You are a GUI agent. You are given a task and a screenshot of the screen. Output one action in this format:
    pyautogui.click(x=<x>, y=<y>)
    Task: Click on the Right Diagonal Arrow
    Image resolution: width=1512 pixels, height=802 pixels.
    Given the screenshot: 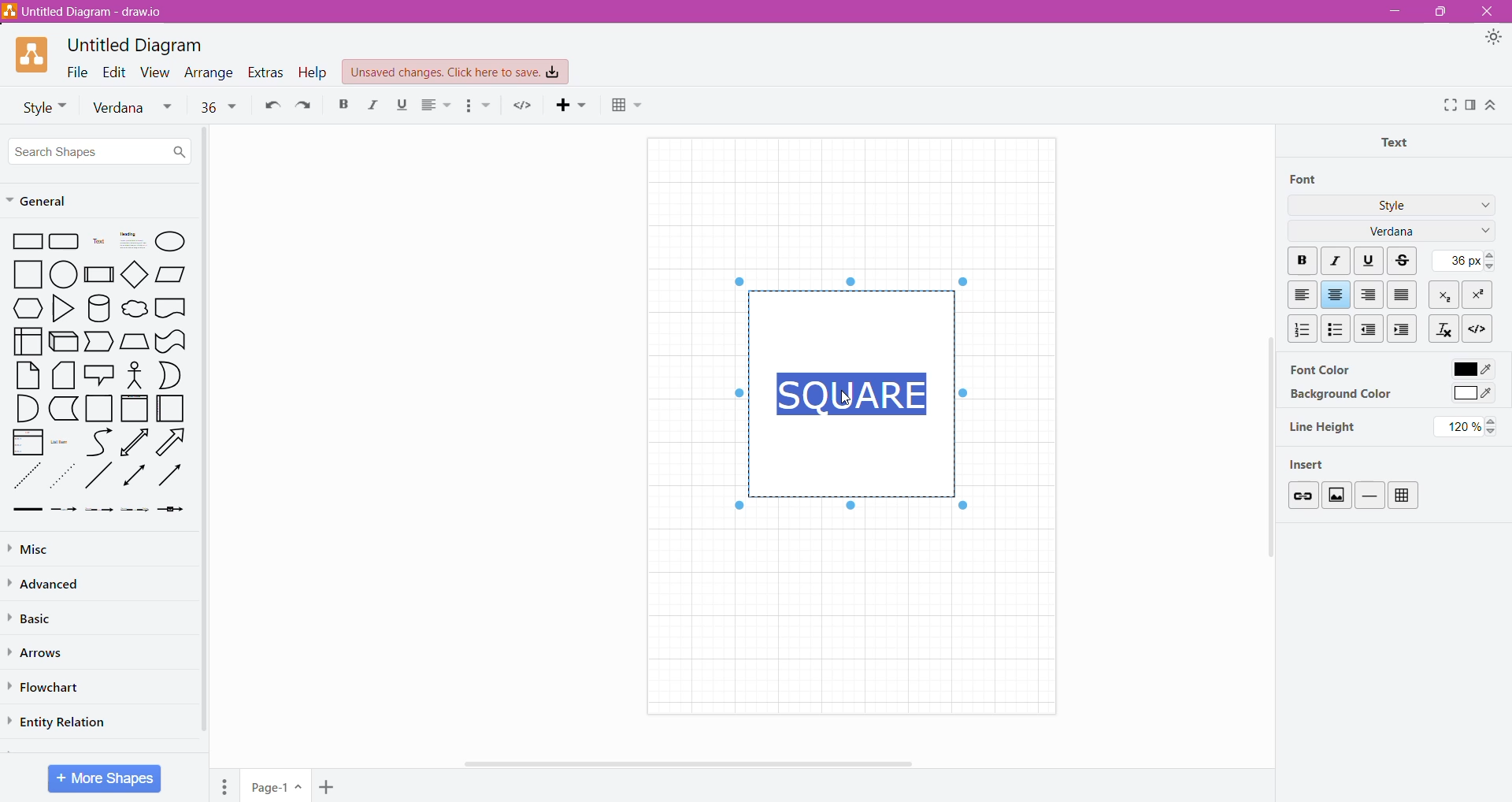 What is the action you would take?
    pyautogui.click(x=173, y=443)
    